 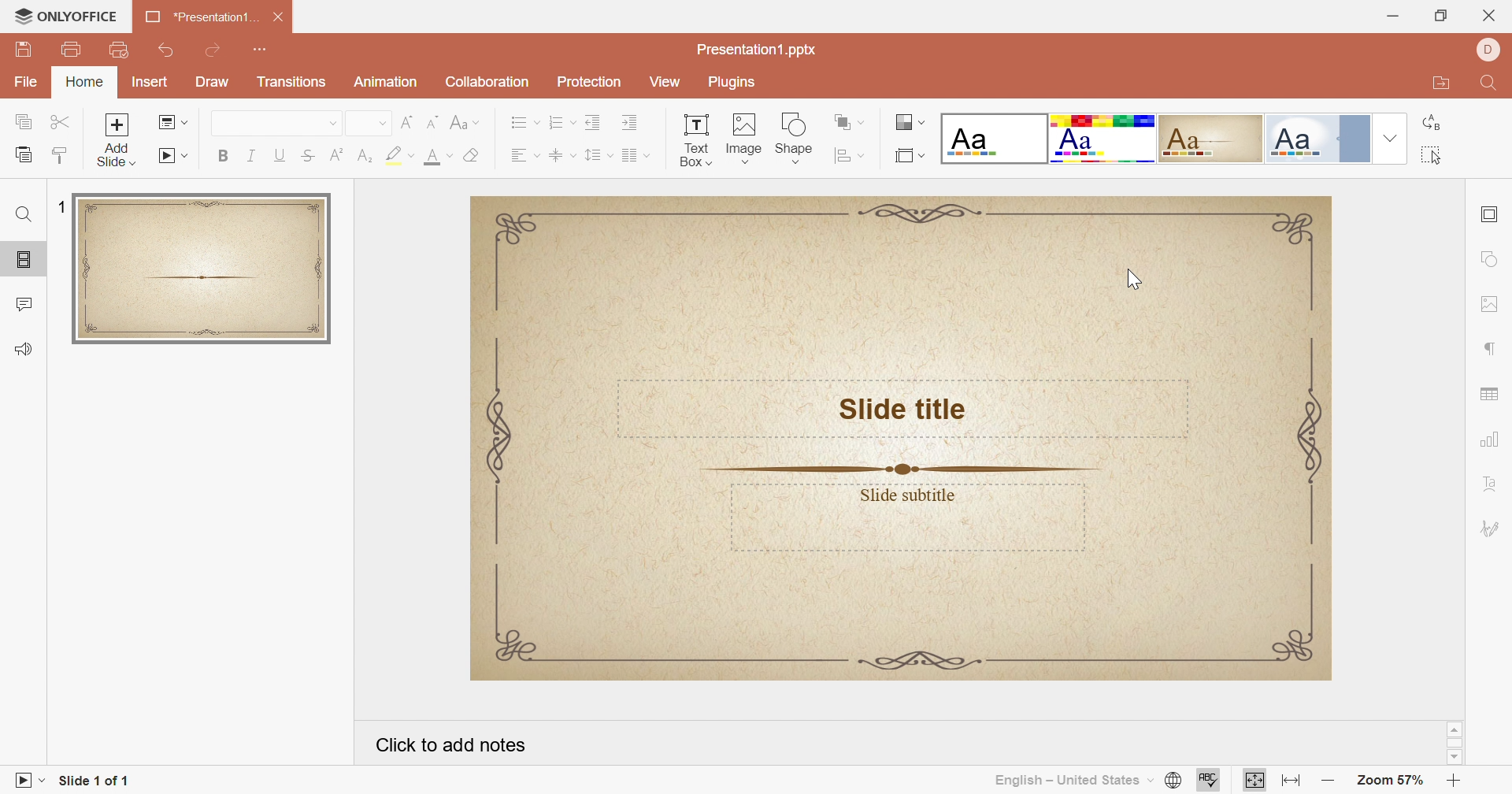 I want to click on Blank, so click(x=993, y=139).